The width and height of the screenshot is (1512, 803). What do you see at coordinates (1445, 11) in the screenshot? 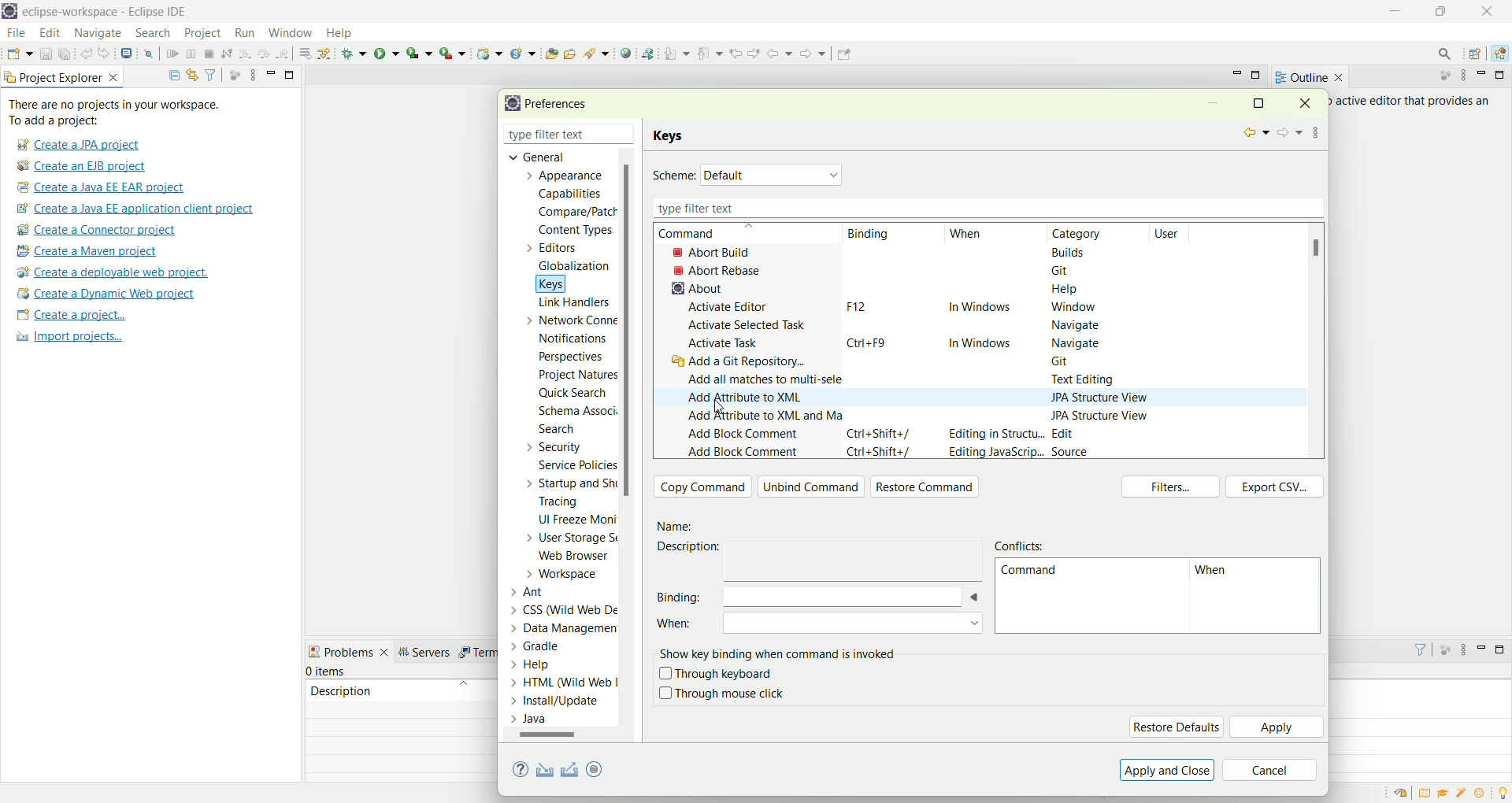
I see `maximize` at bounding box center [1445, 11].